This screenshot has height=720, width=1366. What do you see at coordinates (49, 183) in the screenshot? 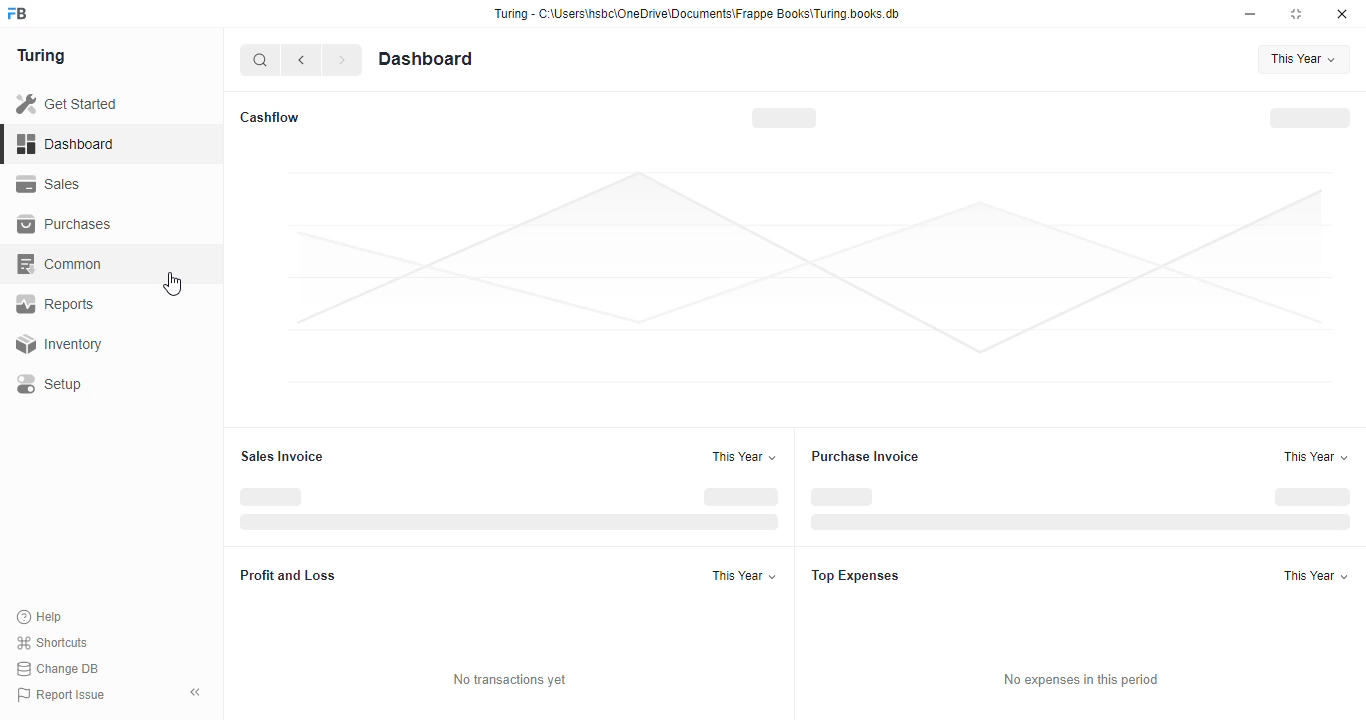
I see `sales` at bounding box center [49, 183].